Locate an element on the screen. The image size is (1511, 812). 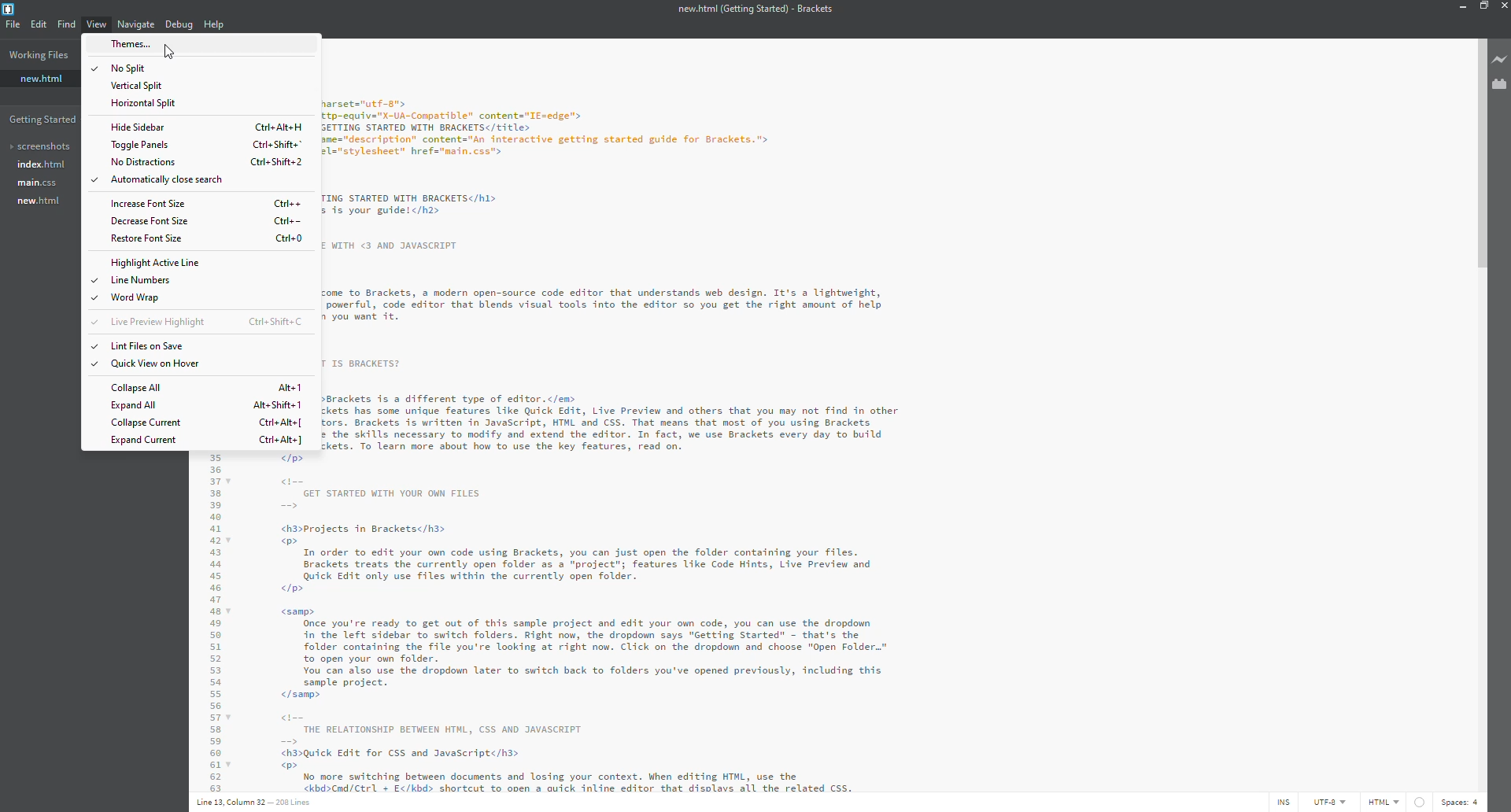
utf is located at coordinates (1332, 802).